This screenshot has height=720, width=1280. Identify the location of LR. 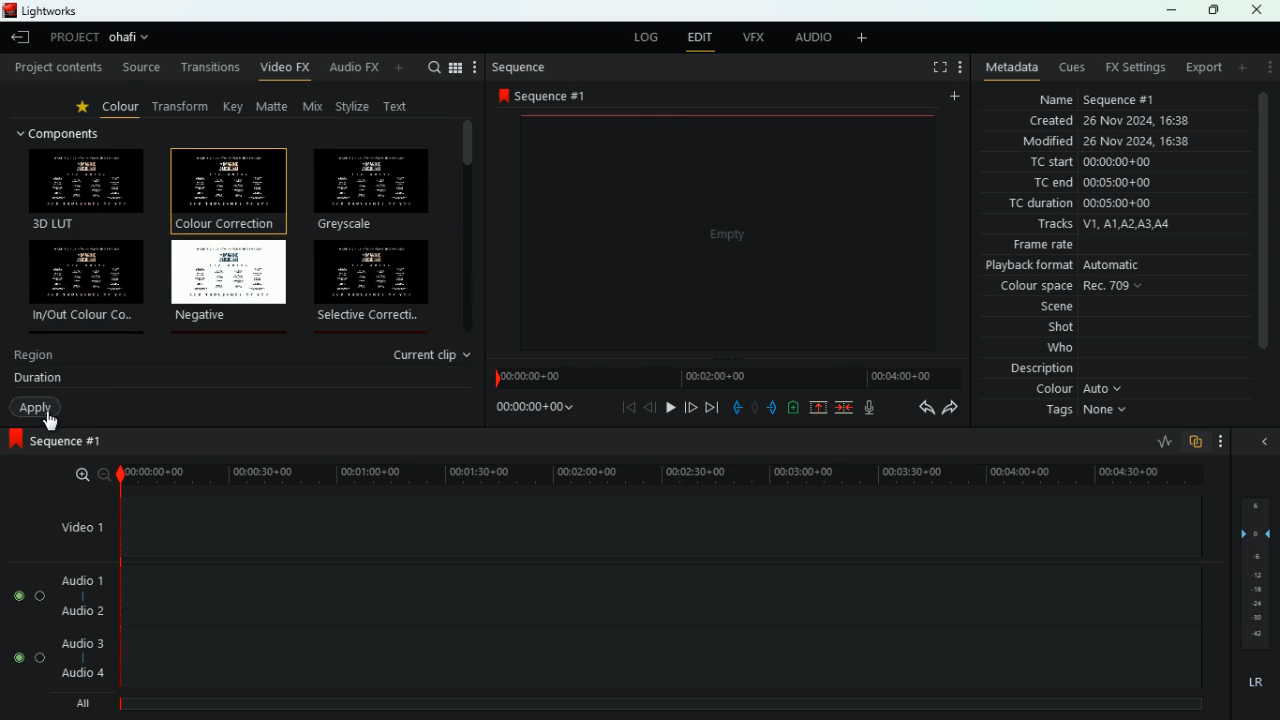
(1254, 683).